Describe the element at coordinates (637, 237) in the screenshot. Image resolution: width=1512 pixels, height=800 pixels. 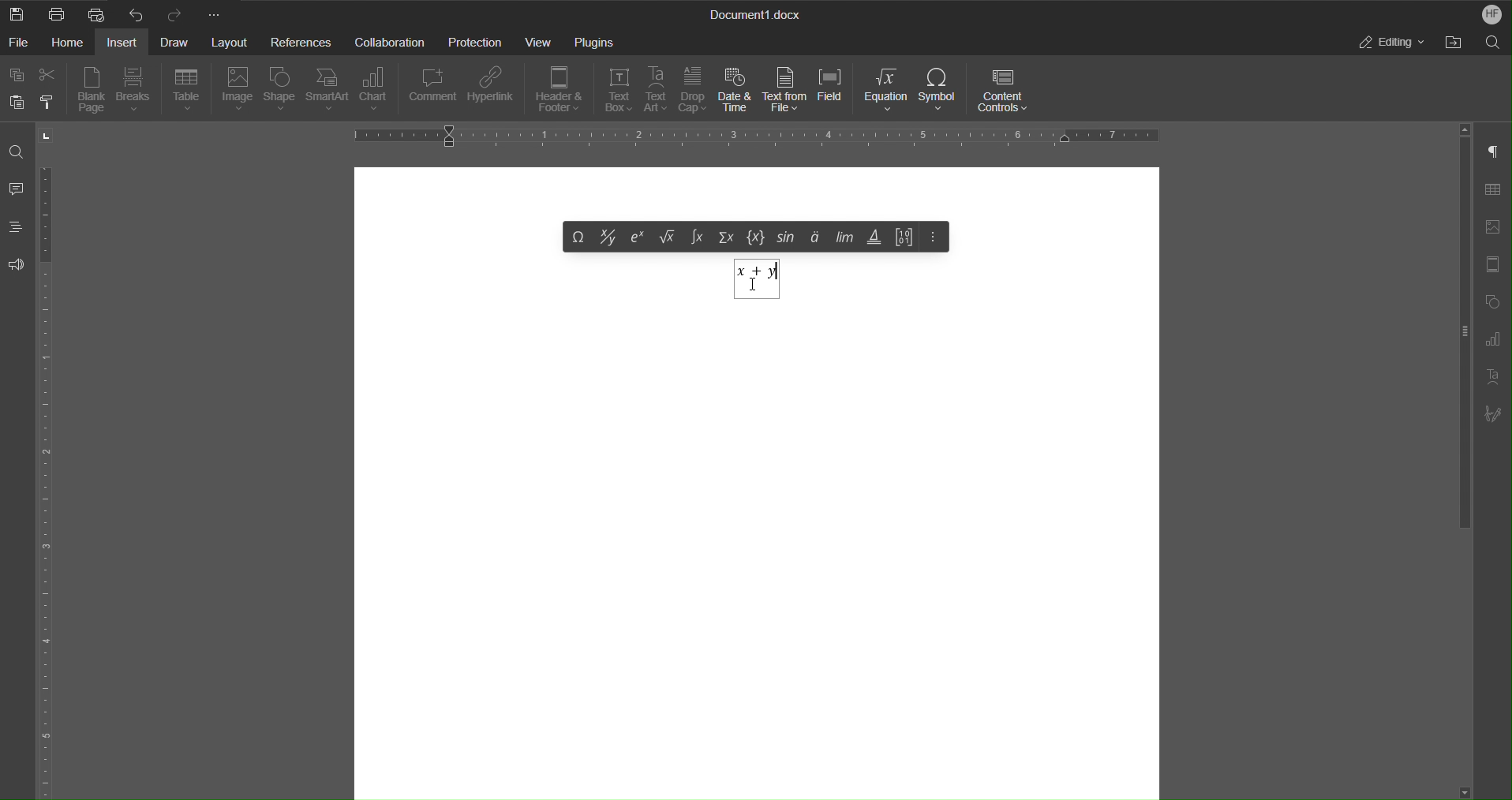
I see `Exponent` at that location.